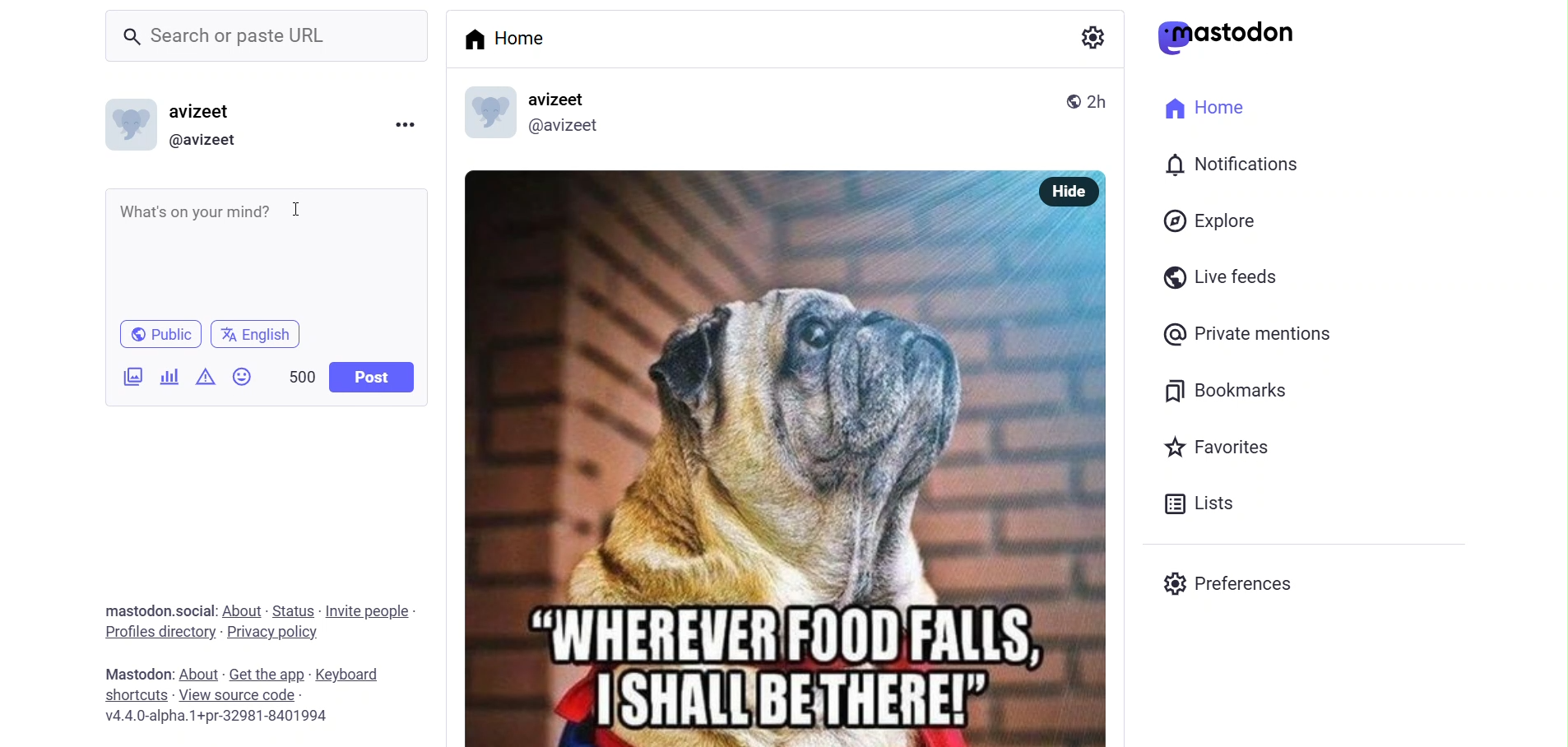 The height and width of the screenshot is (747, 1568). I want to click on version, so click(222, 716).